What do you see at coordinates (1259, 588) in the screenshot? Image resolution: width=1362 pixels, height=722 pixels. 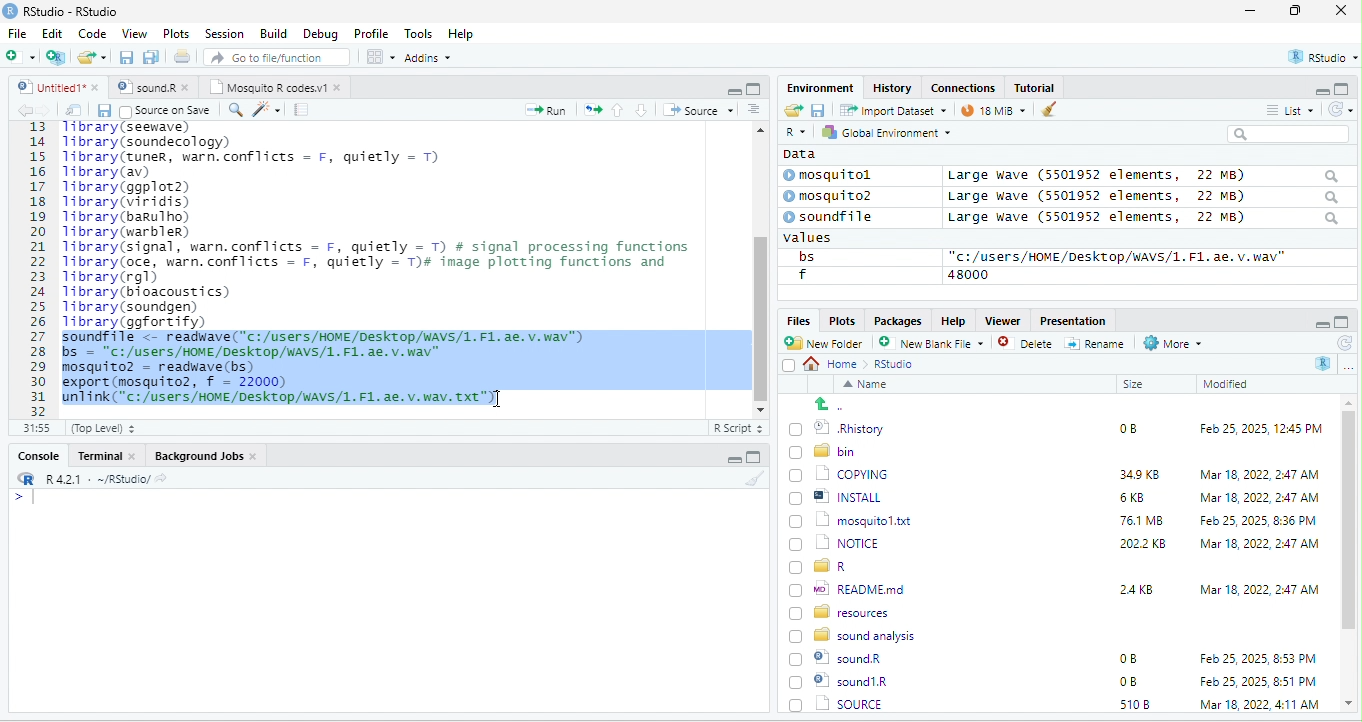 I see `Mar 18, 2022, 2:47 AM` at bounding box center [1259, 588].